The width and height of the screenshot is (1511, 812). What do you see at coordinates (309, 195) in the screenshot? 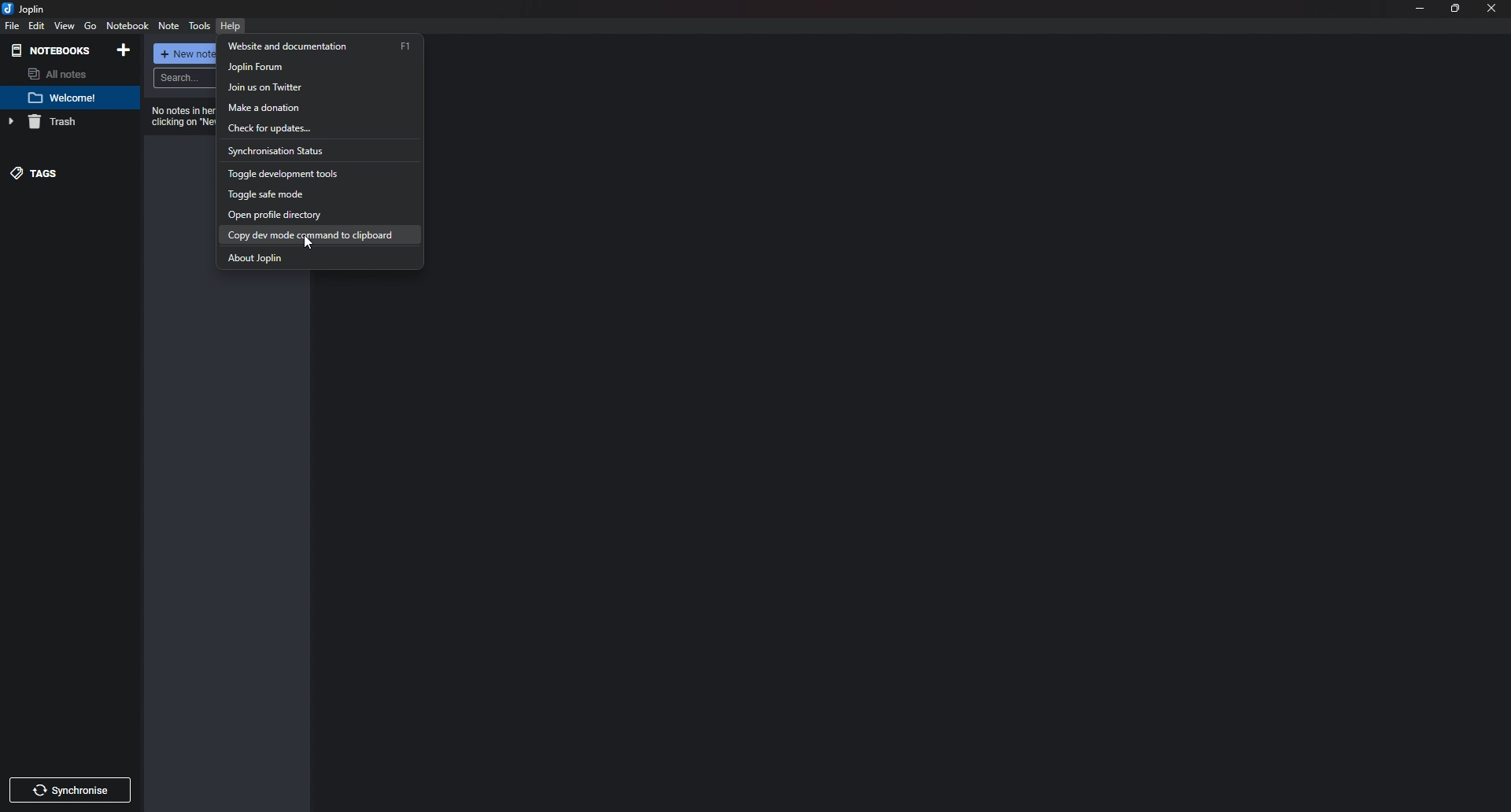
I see `toggle safe mode` at bounding box center [309, 195].